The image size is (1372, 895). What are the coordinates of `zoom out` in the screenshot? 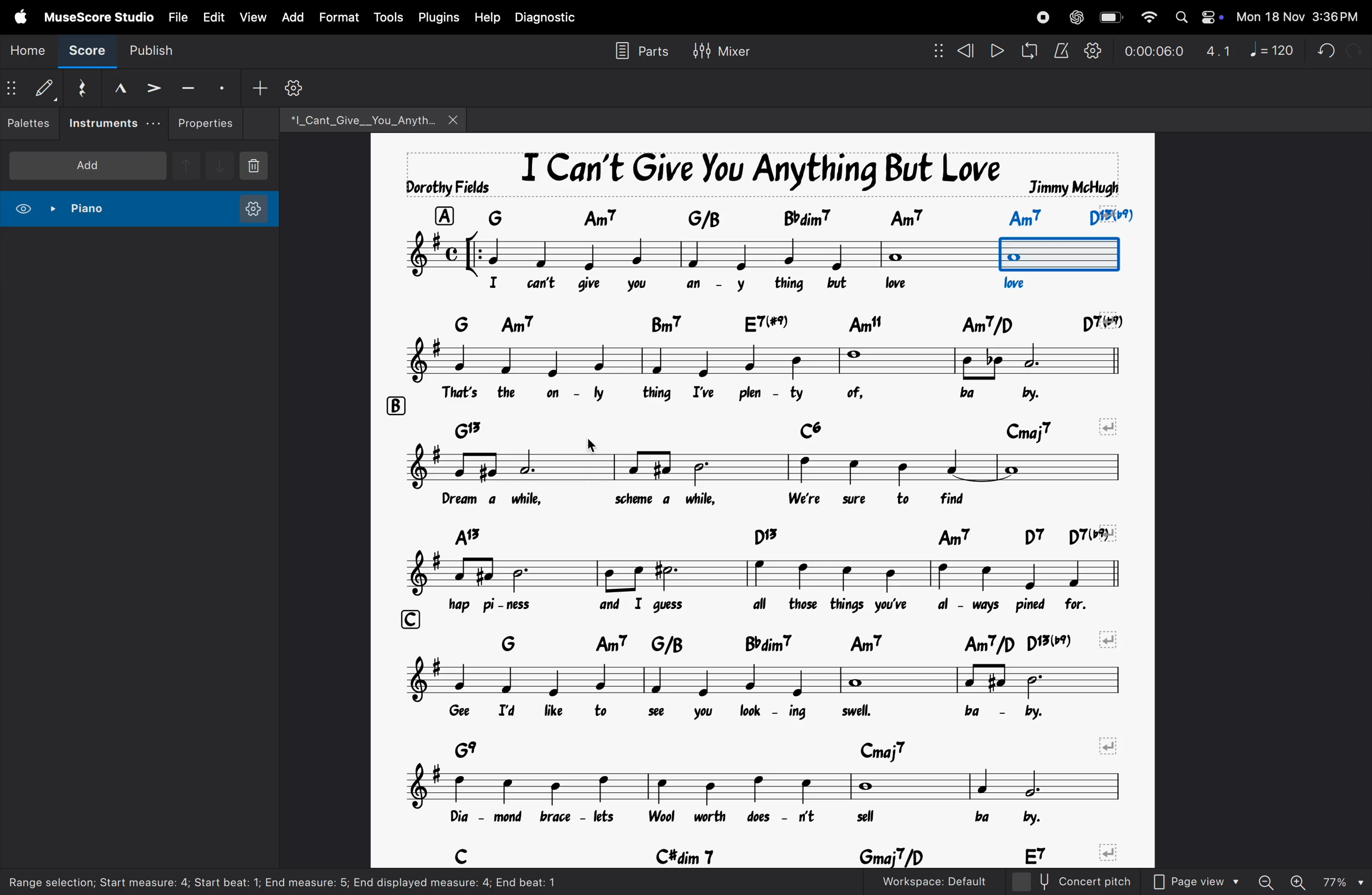 It's located at (1265, 881).